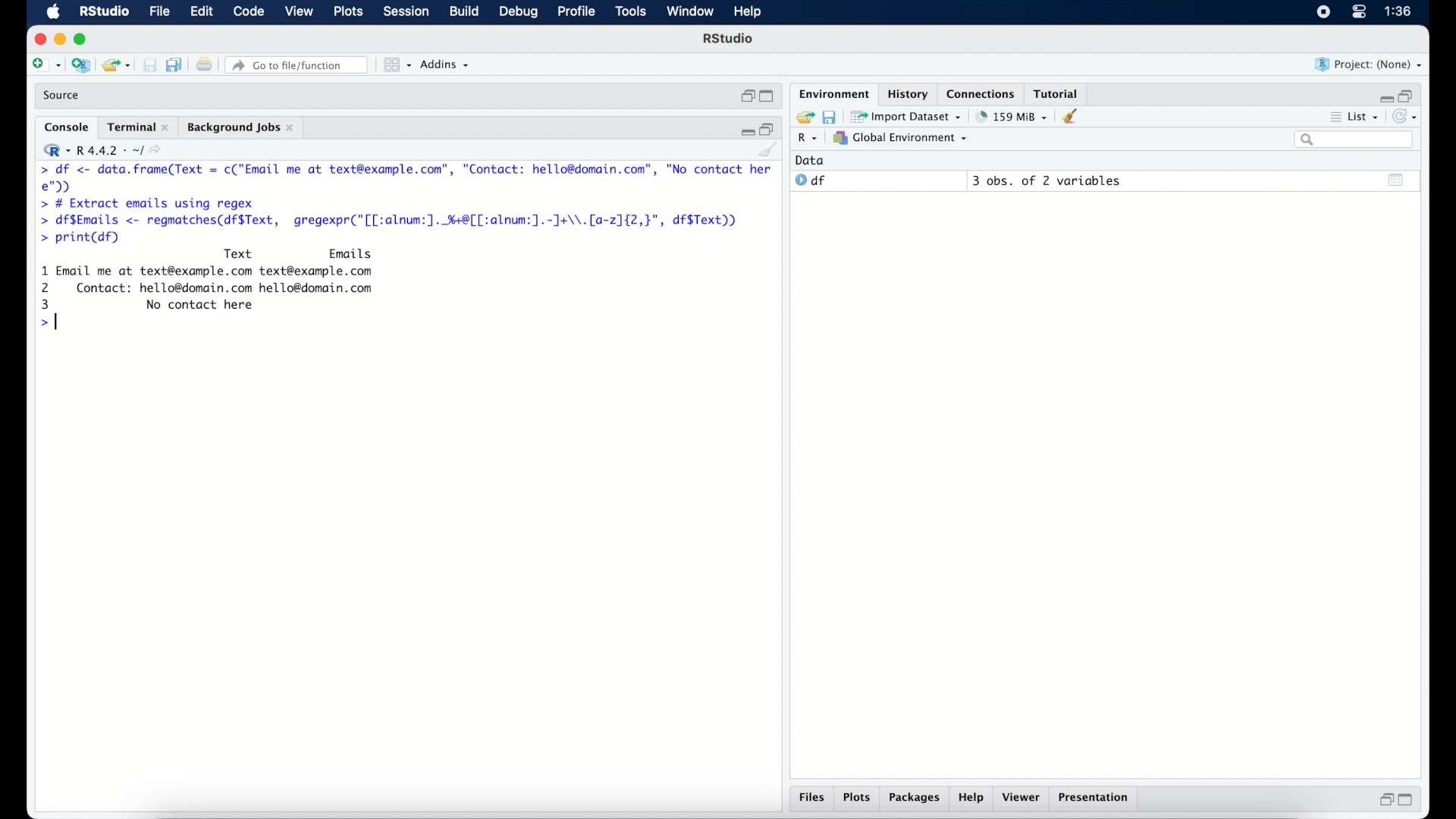 This screenshot has height=819, width=1456. Describe the element at coordinates (1409, 117) in the screenshot. I see `refresh` at that location.